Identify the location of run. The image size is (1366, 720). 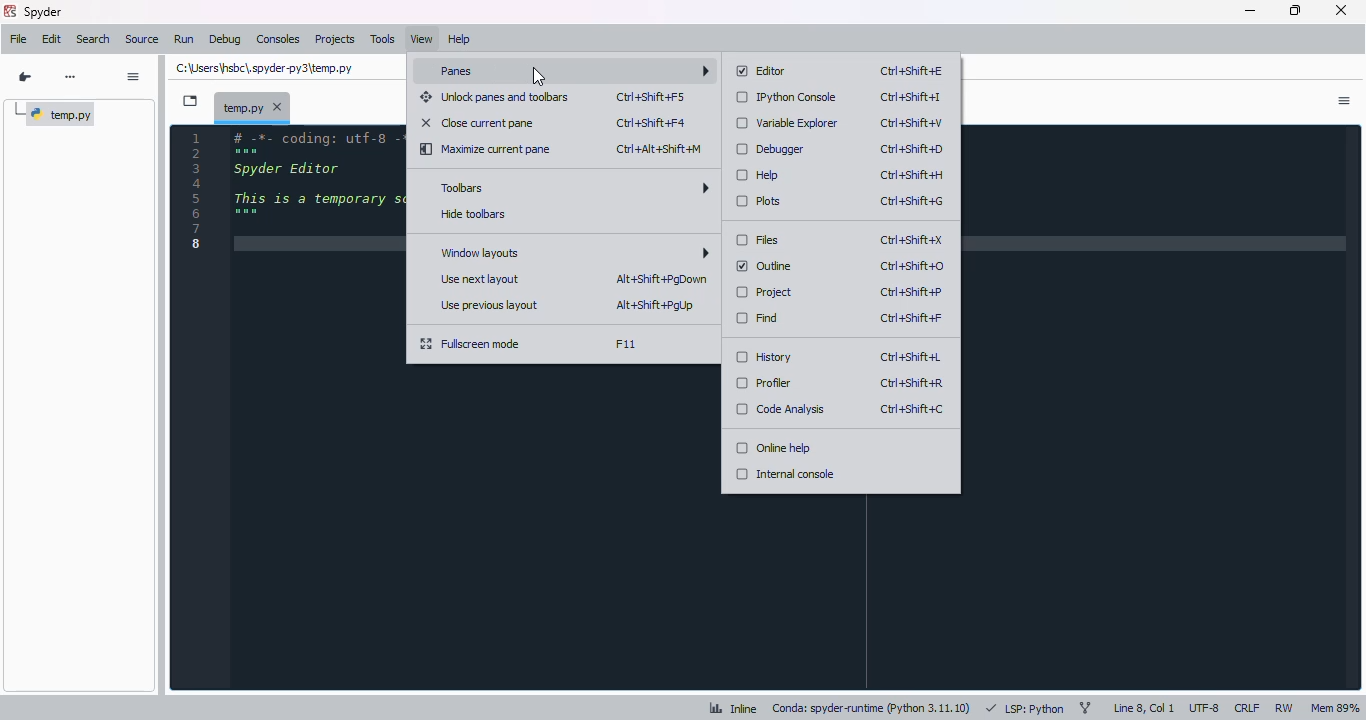
(184, 39).